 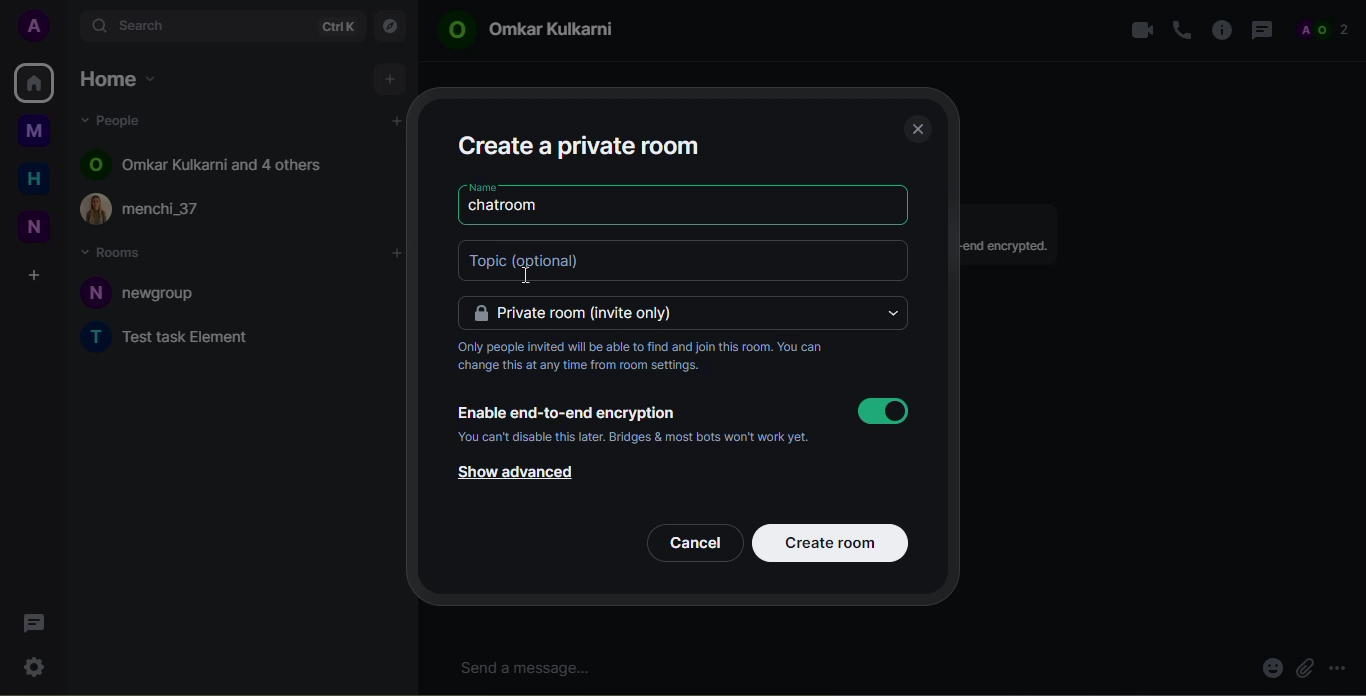 I want to click on (§) menchi_37, so click(x=154, y=208).